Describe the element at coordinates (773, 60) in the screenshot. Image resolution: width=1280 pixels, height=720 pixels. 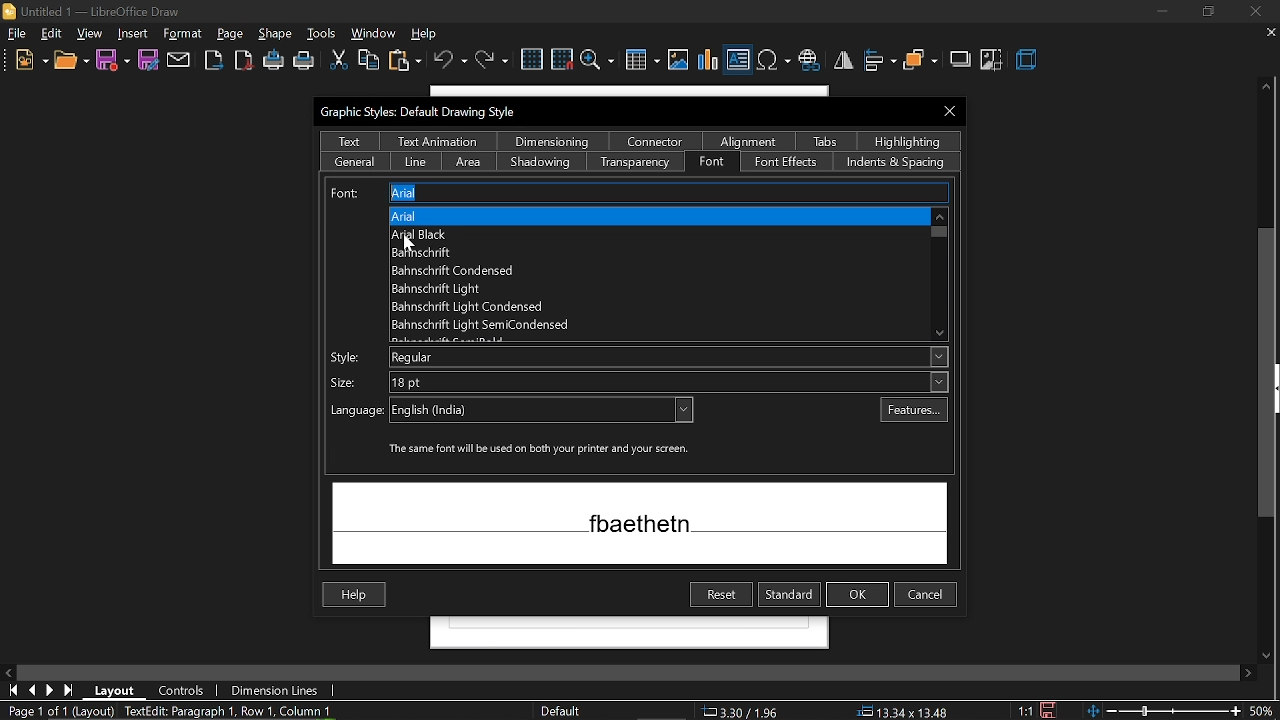
I see `Insert symbol` at that location.